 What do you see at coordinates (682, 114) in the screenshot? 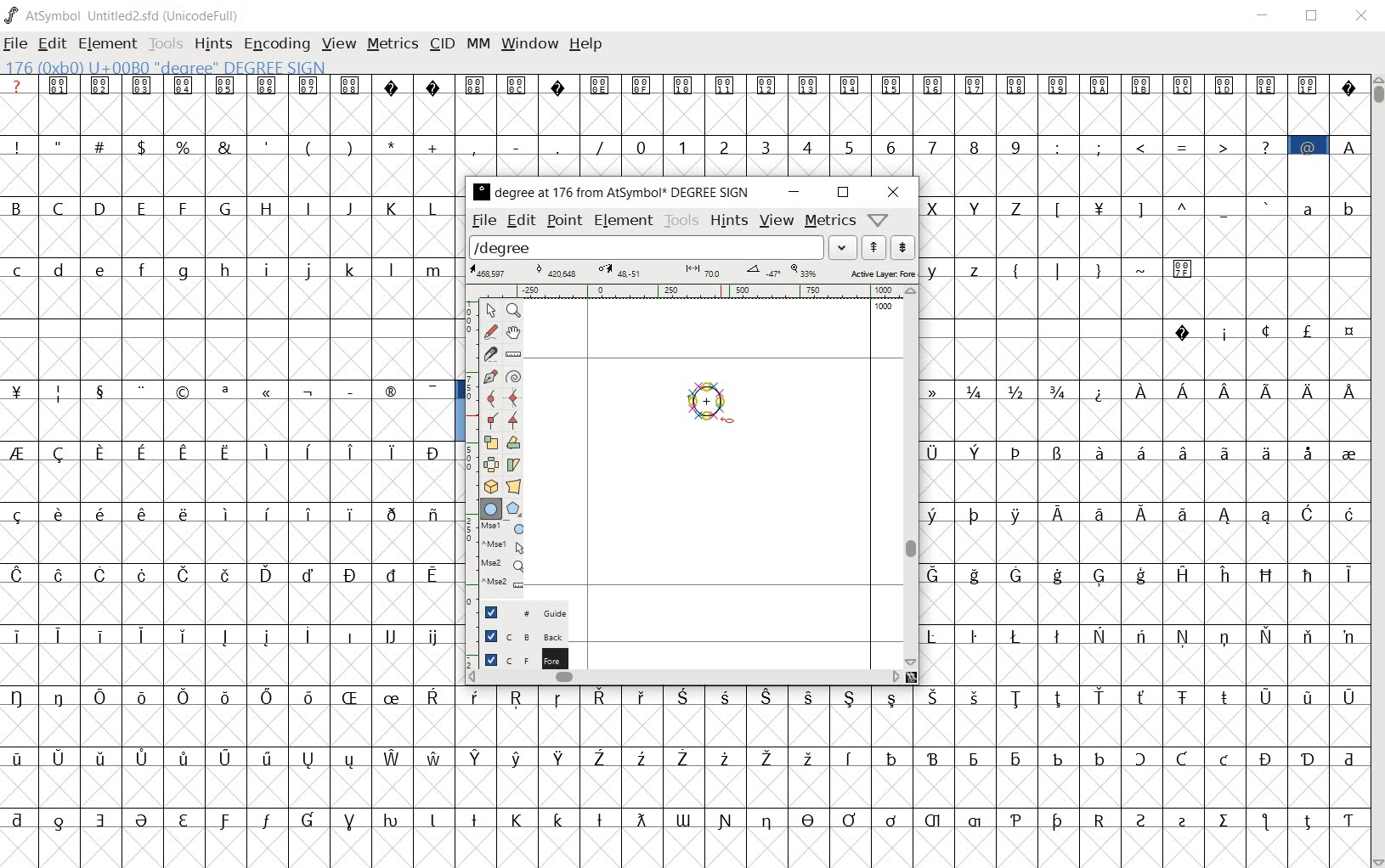
I see `empty glyph slots` at bounding box center [682, 114].